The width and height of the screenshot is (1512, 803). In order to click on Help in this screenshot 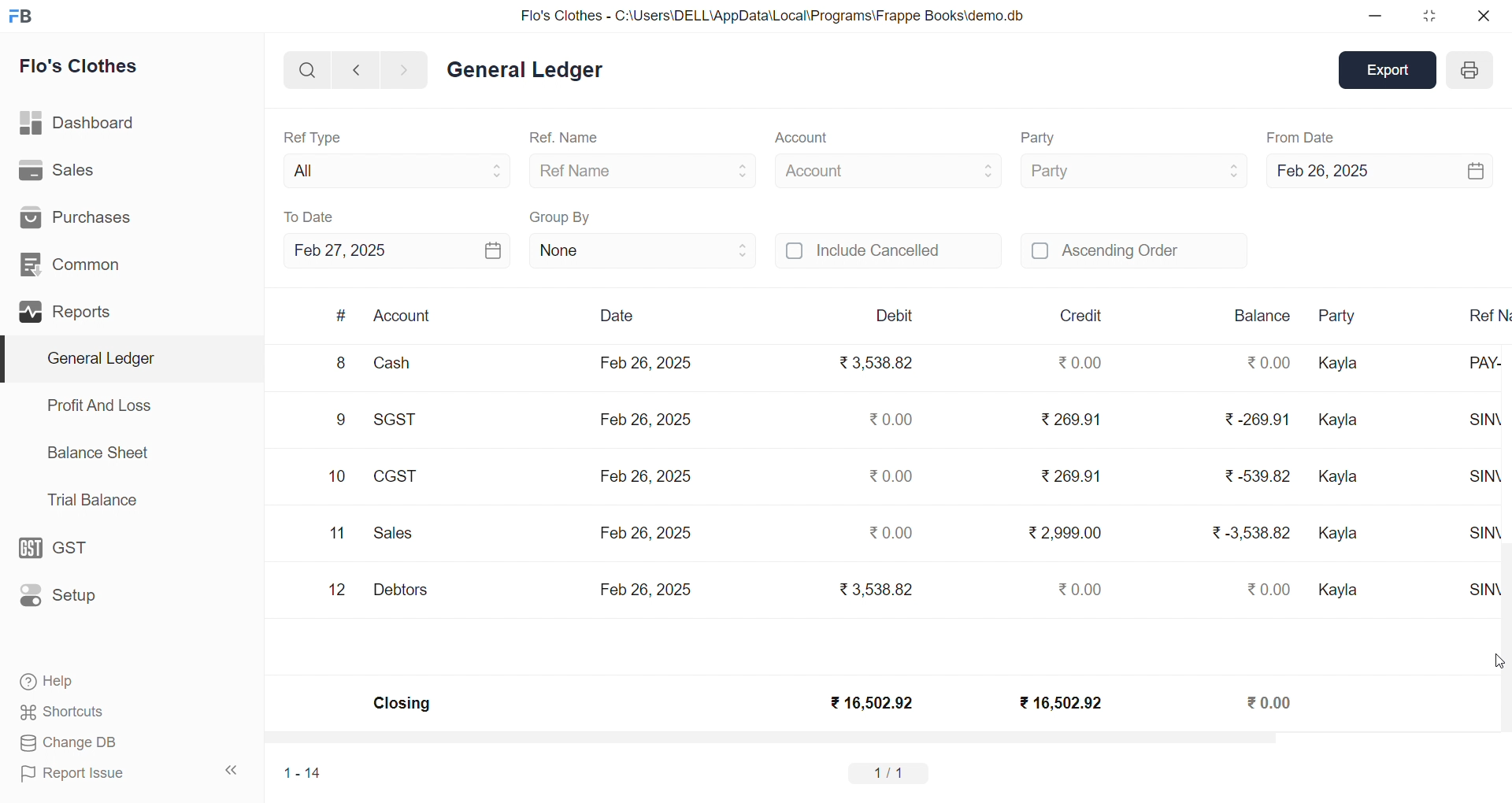, I will do `click(53, 683)`.